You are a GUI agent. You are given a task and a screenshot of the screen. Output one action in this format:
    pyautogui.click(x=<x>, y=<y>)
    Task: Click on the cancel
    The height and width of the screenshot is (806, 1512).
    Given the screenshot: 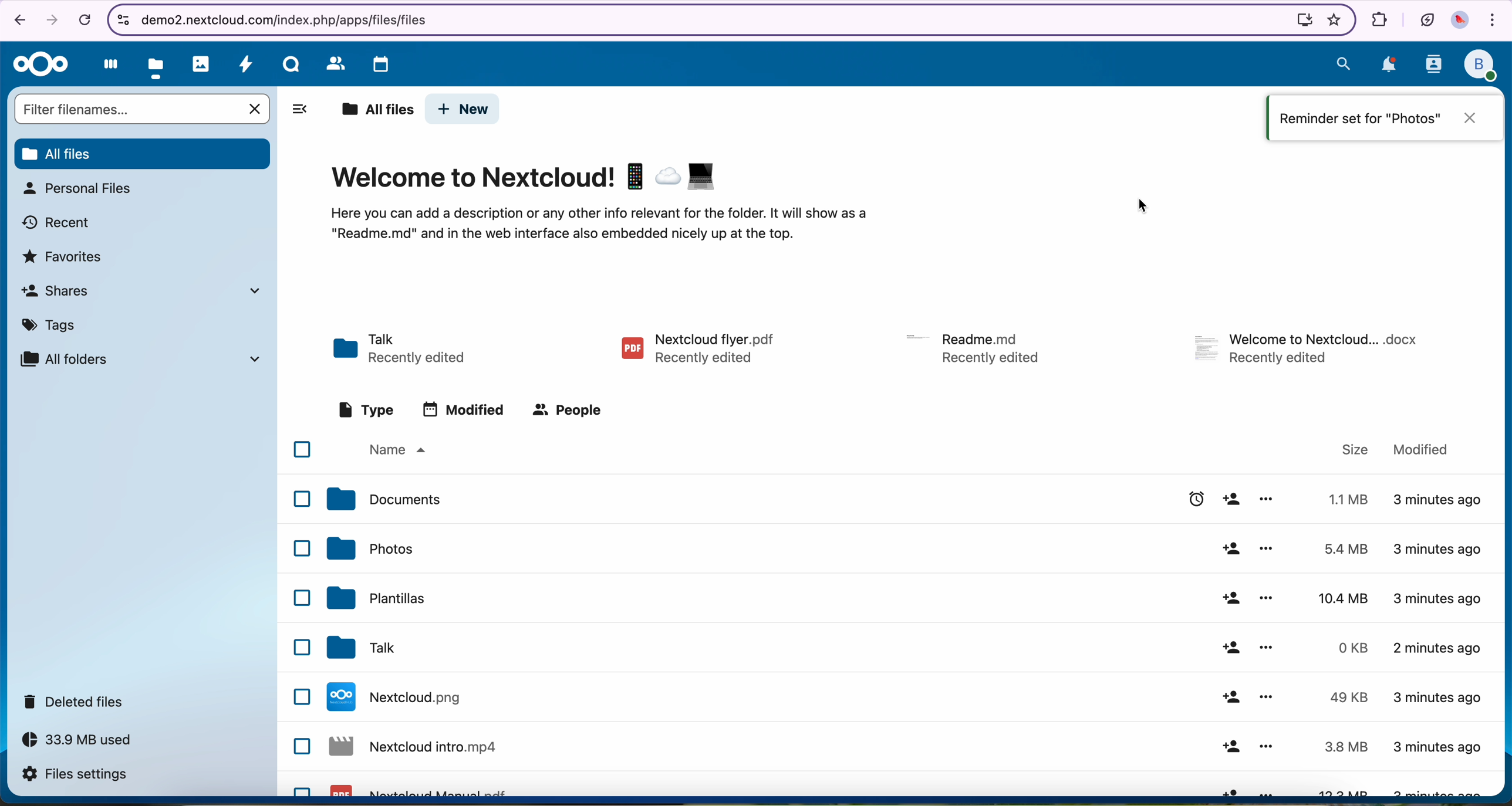 What is the action you would take?
    pyautogui.click(x=84, y=21)
    